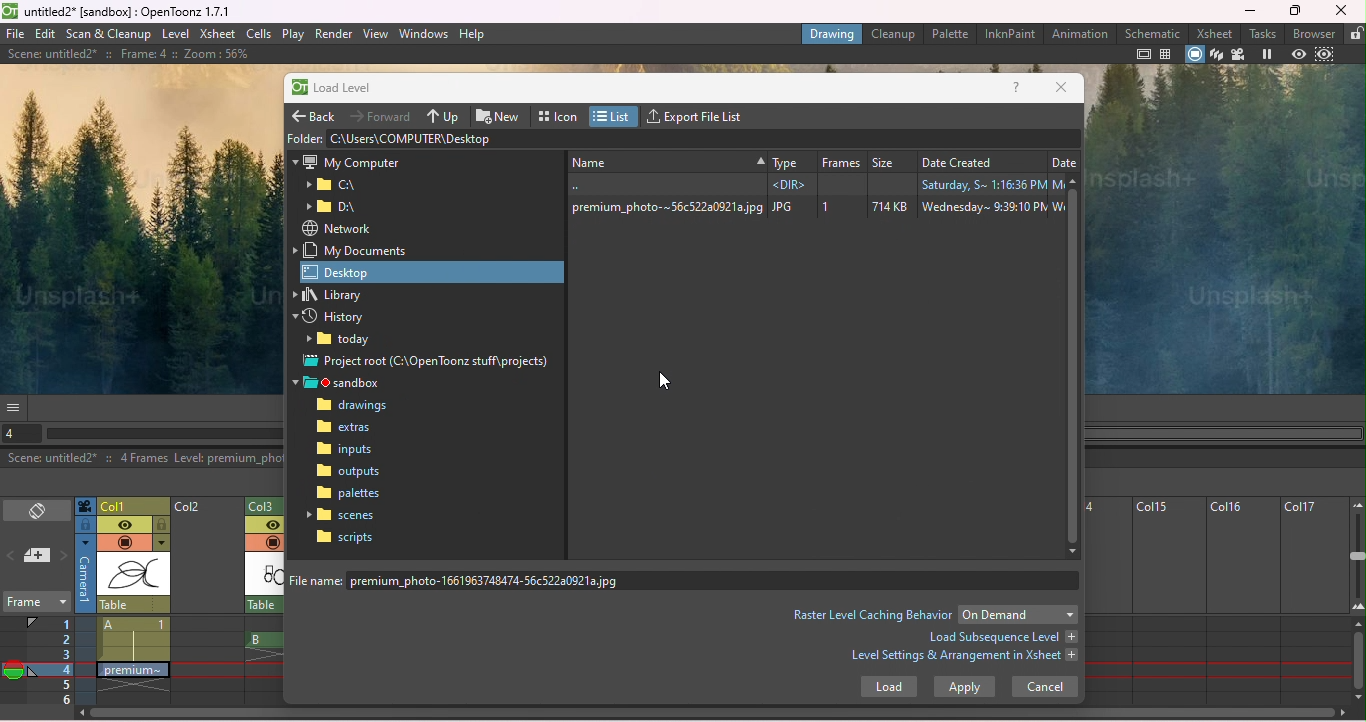  Describe the element at coordinates (269, 504) in the screenshot. I see `Column 3` at that location.